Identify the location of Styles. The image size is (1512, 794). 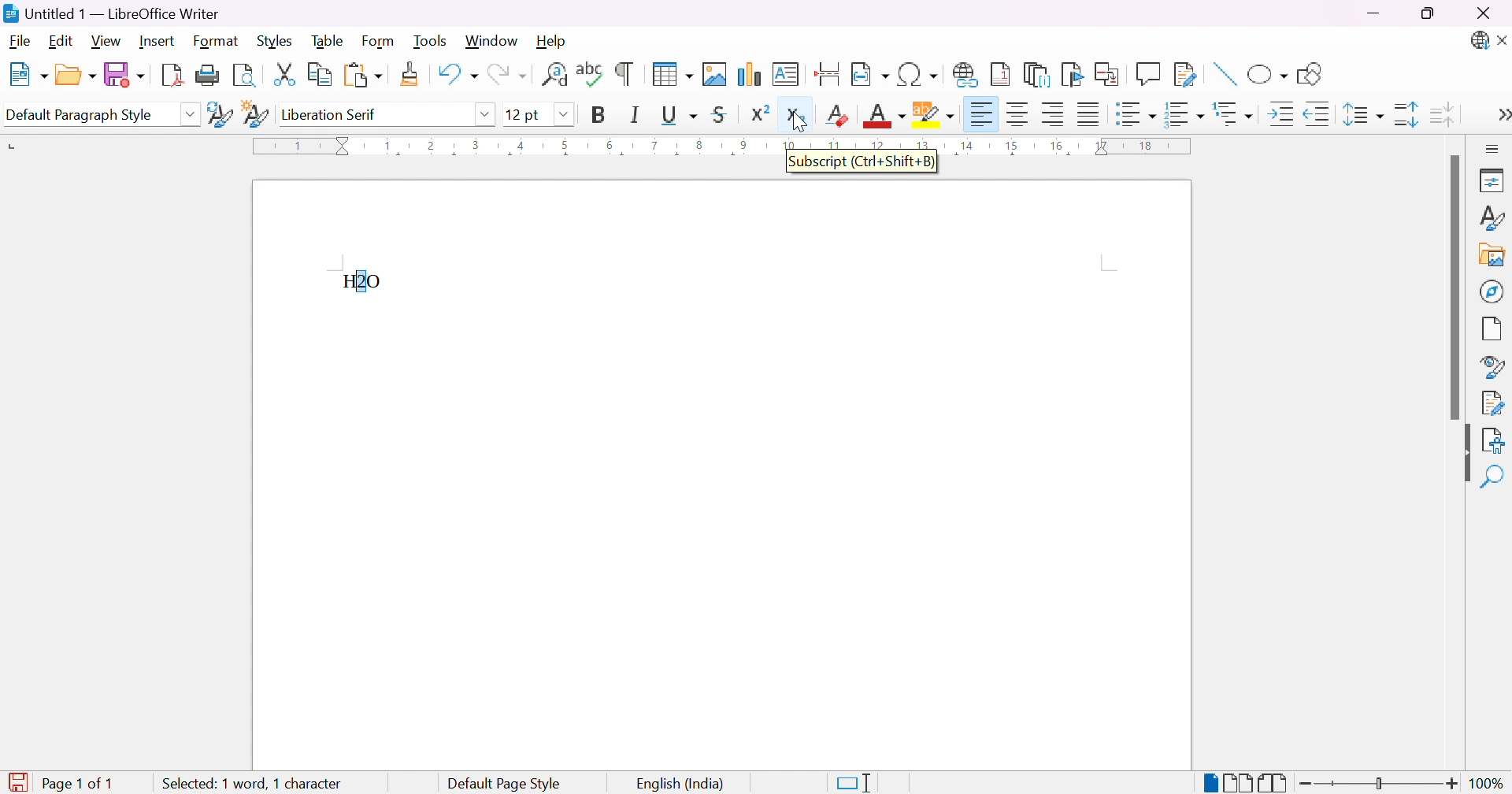
(279, 40).